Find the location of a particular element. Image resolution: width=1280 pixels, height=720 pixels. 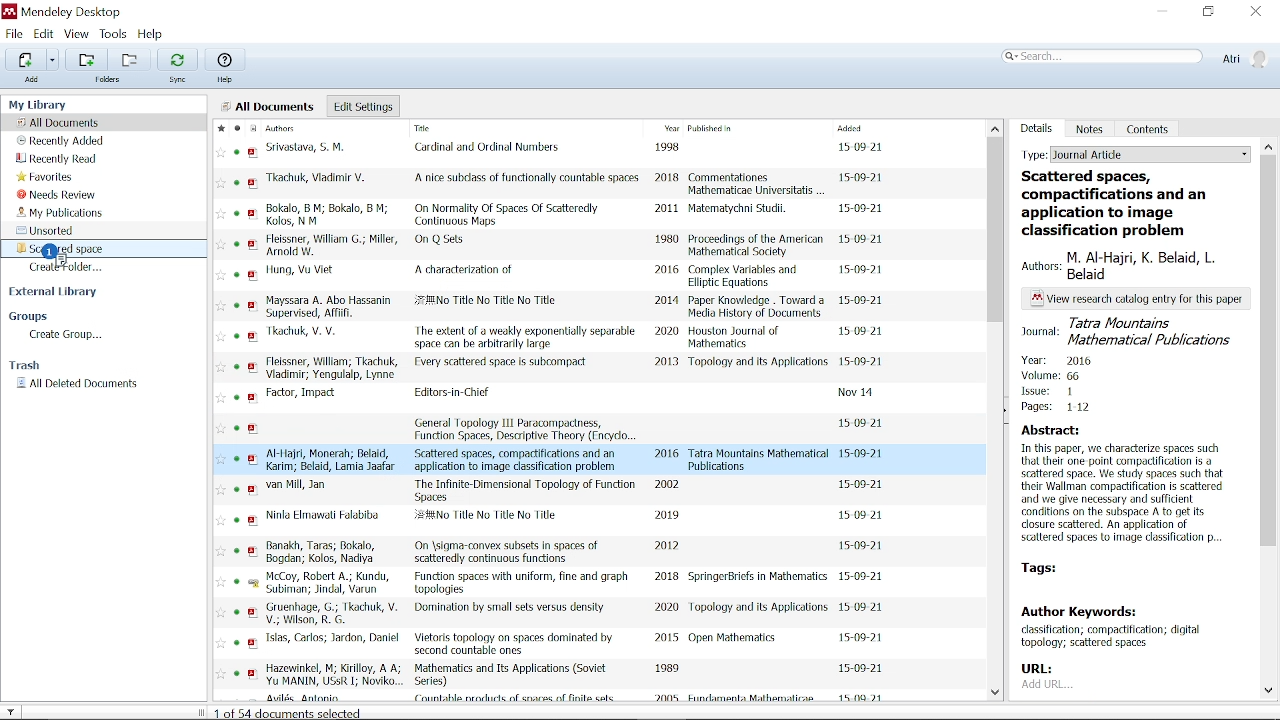

Tatra Mountains Mathematical
Publications is located at coordinates (760, 460).